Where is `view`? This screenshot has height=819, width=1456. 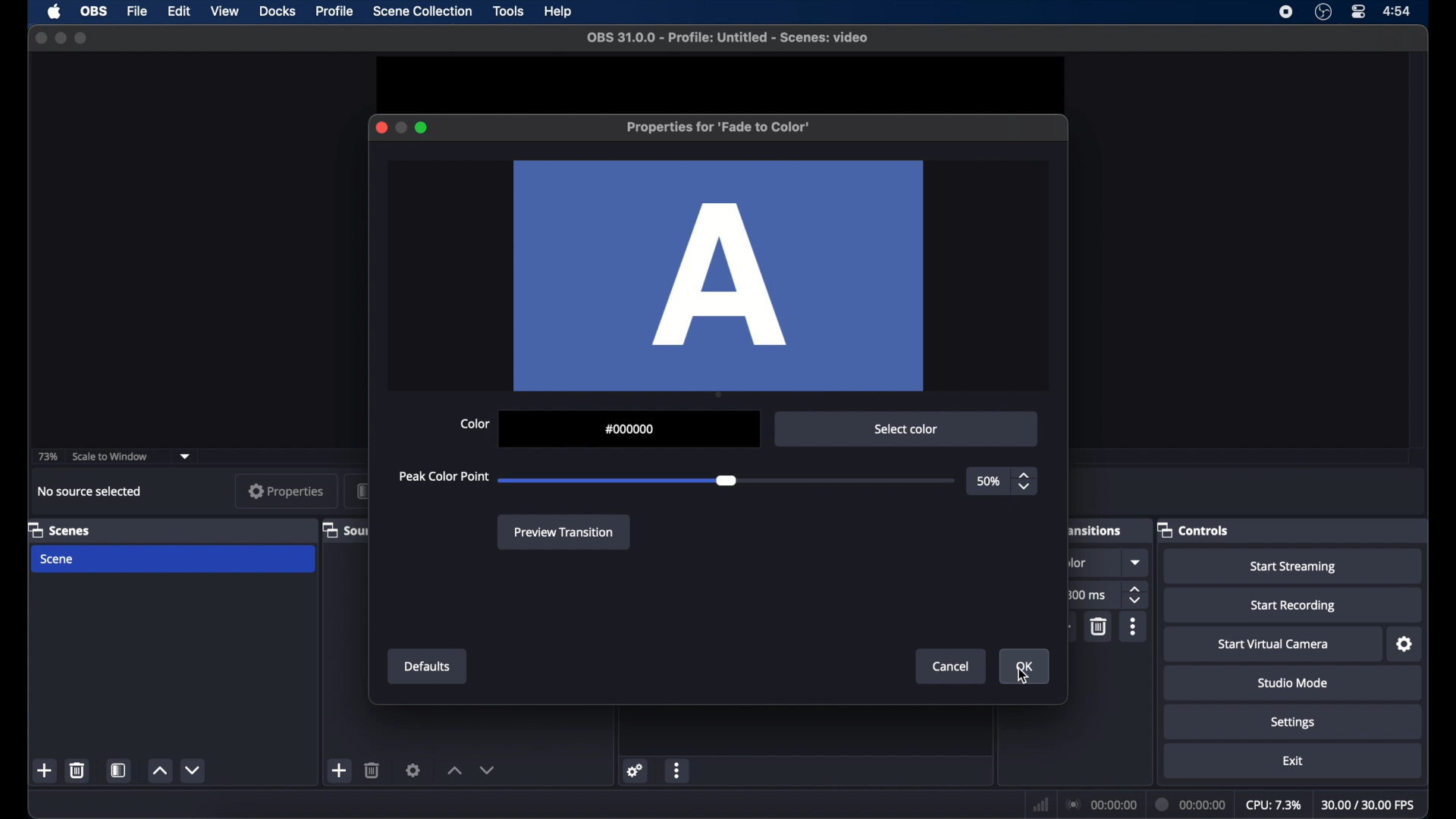 view is located at coordinates (226, 11).